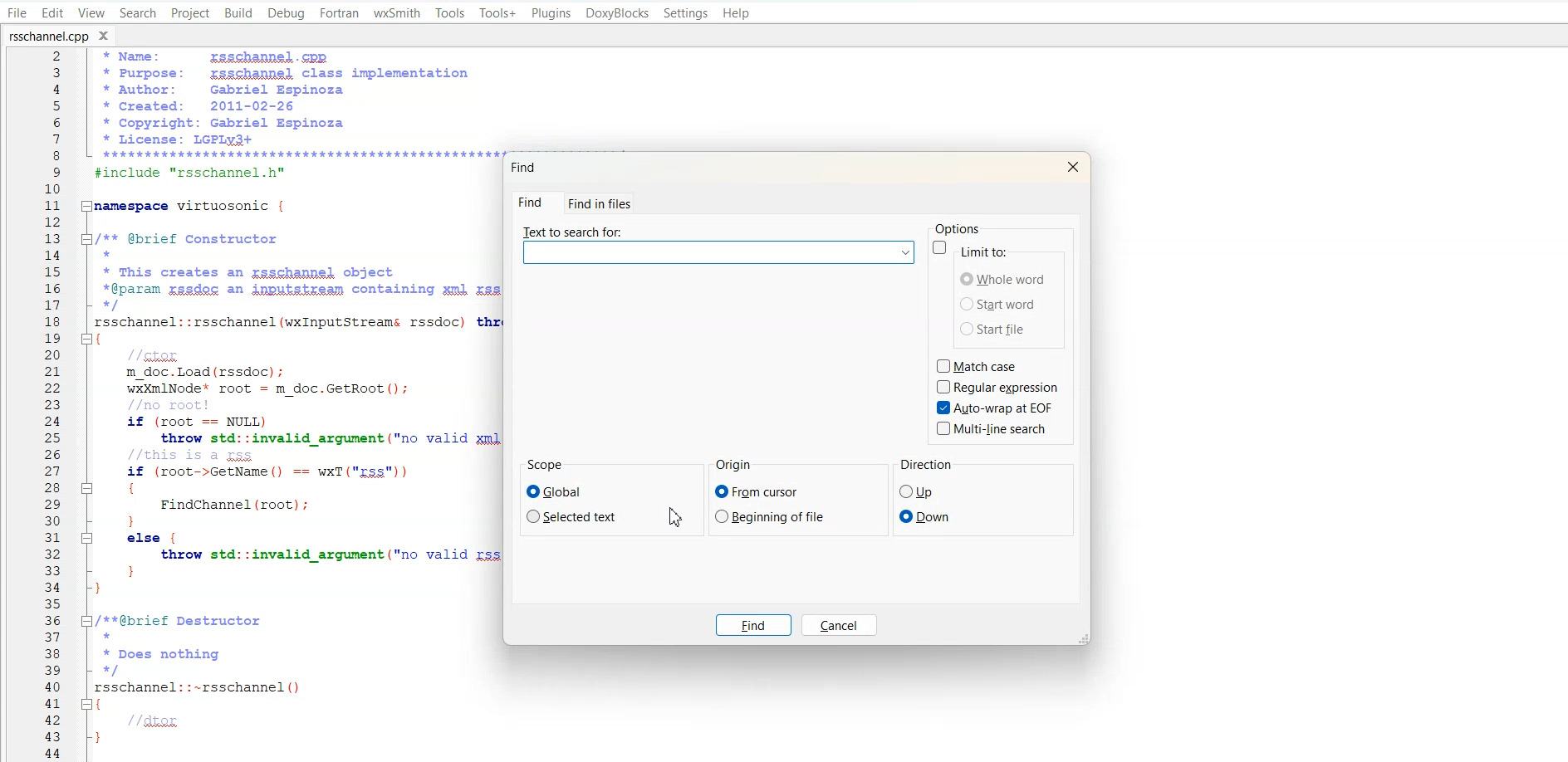 The height and width of the screenshot is (762, 1568). What do you see at coordinates (925, 516) in the screenshot?
I see `Down` at bounding box center [925, 516].